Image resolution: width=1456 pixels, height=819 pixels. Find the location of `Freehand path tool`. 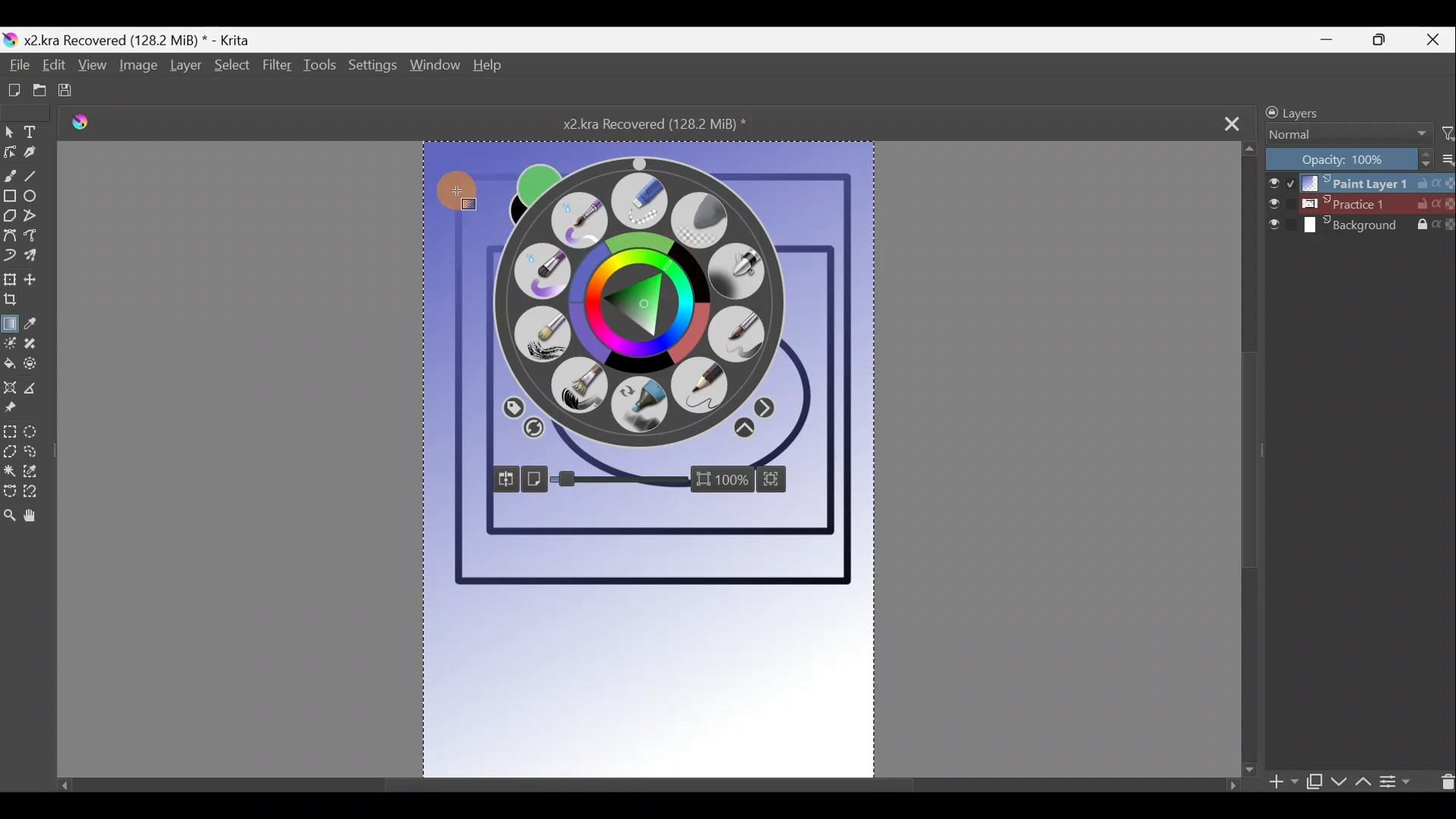

Freehand path tool is located at coordinates (36, 240).